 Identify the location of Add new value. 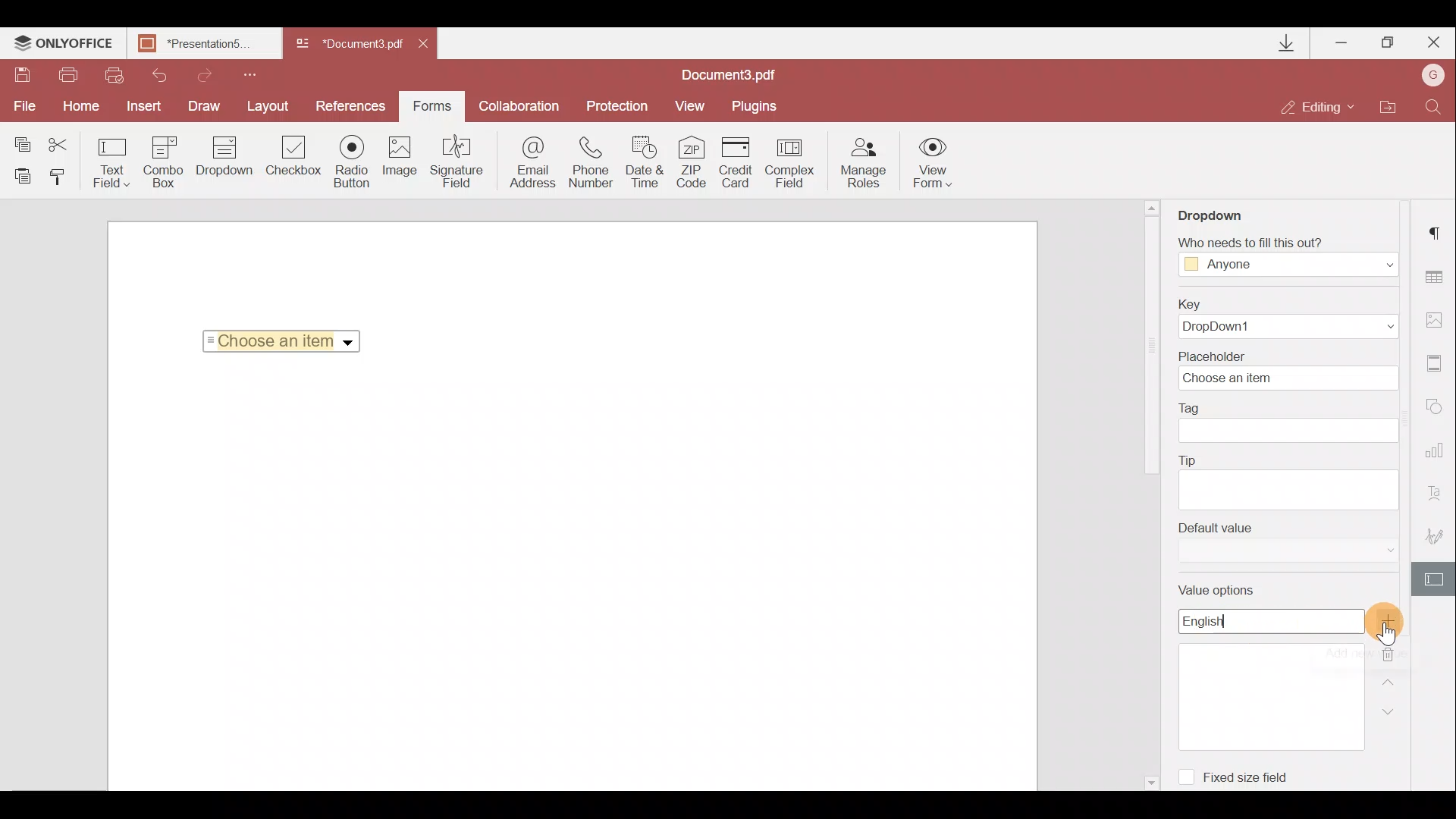
(1394, 621).